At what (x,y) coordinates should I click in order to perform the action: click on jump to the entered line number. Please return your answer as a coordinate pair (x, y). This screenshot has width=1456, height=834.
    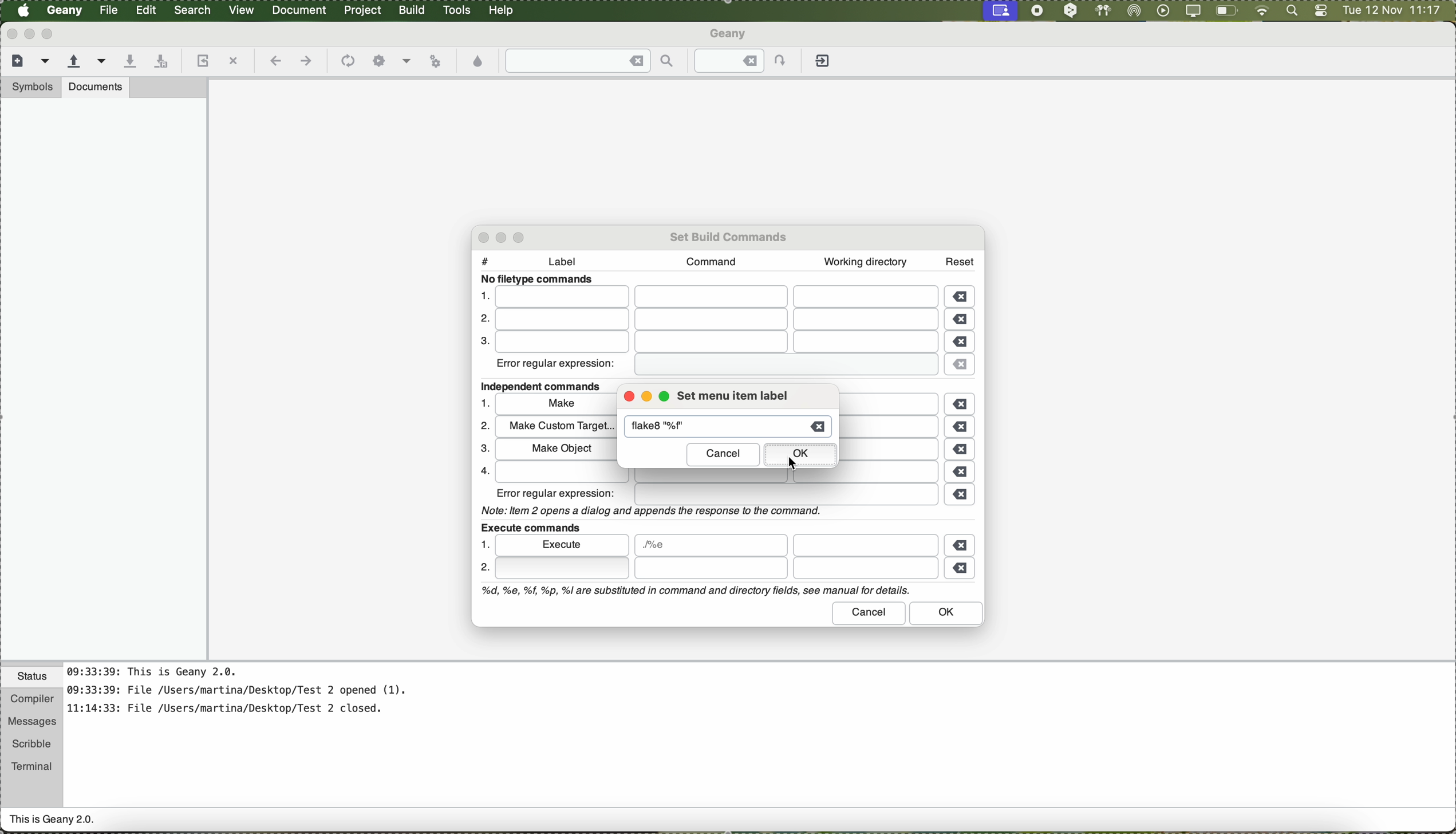
    Looking at the image, I should click on (747, 61).